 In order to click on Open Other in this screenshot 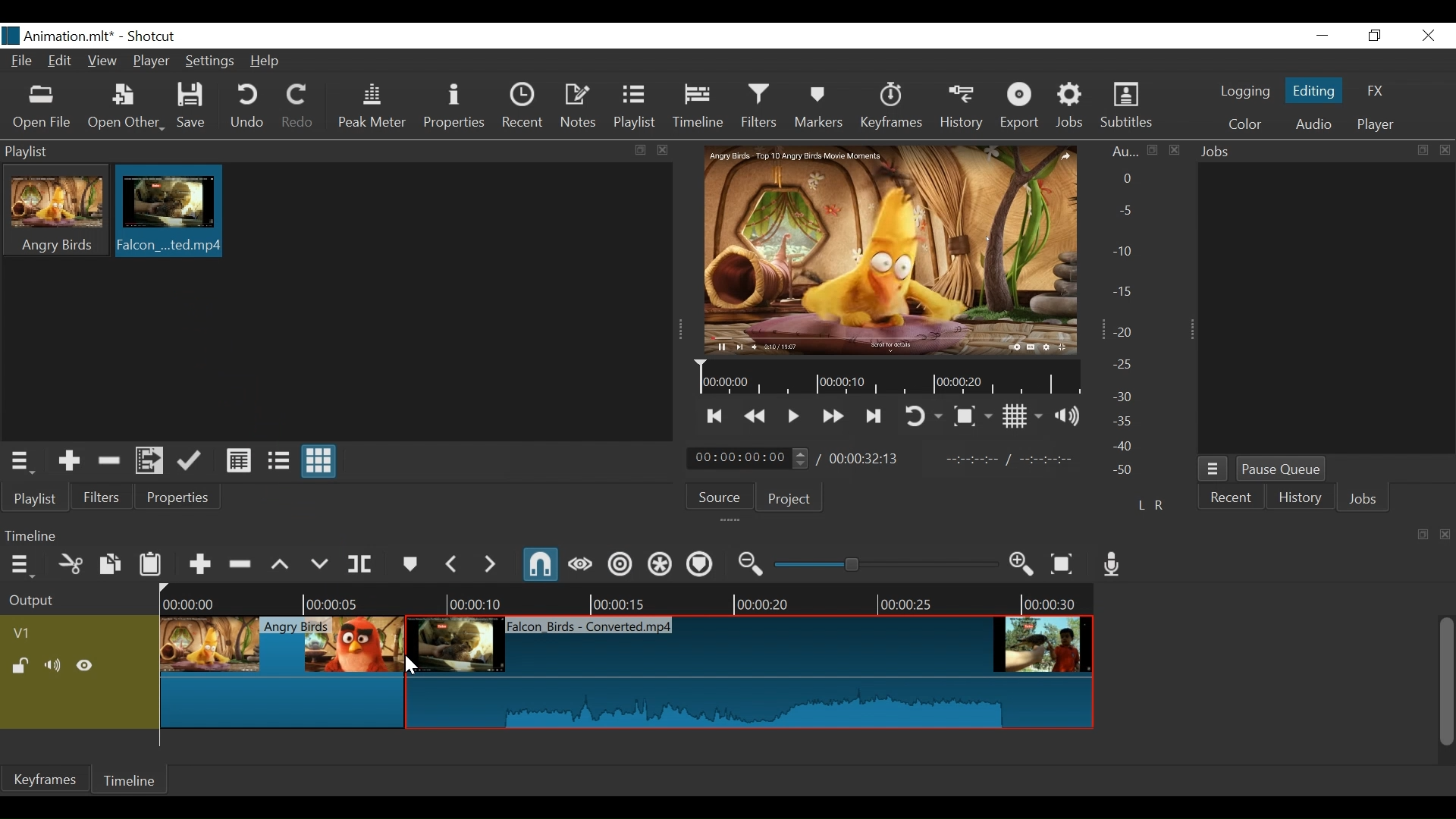, I will do `click(125, 108)`.